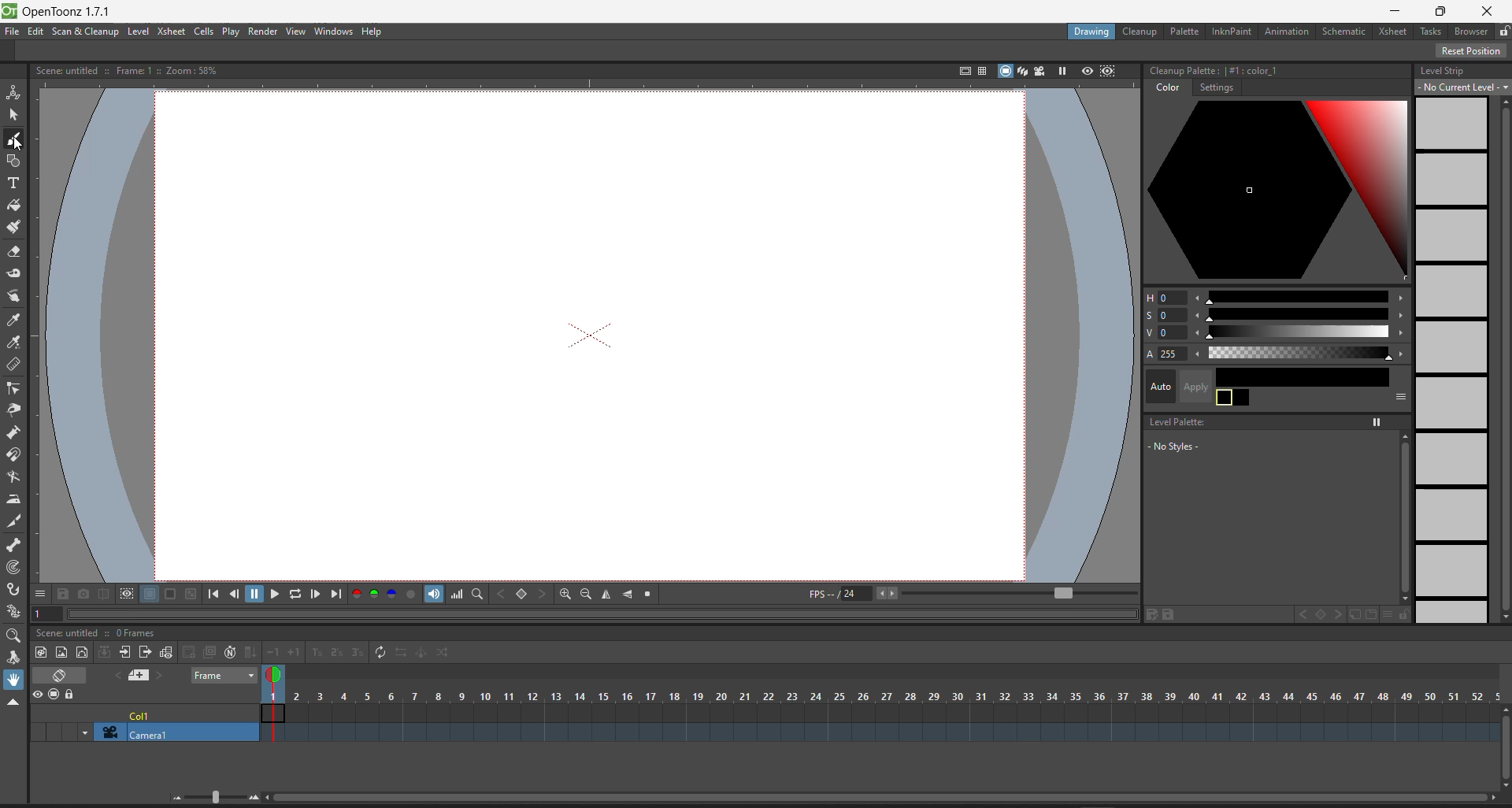 This screenshot has height=808, width=1512. What do you see at coordinates (1343, 32) in the screenshot?
I see `schematic` at bounding box center [1343, 32].